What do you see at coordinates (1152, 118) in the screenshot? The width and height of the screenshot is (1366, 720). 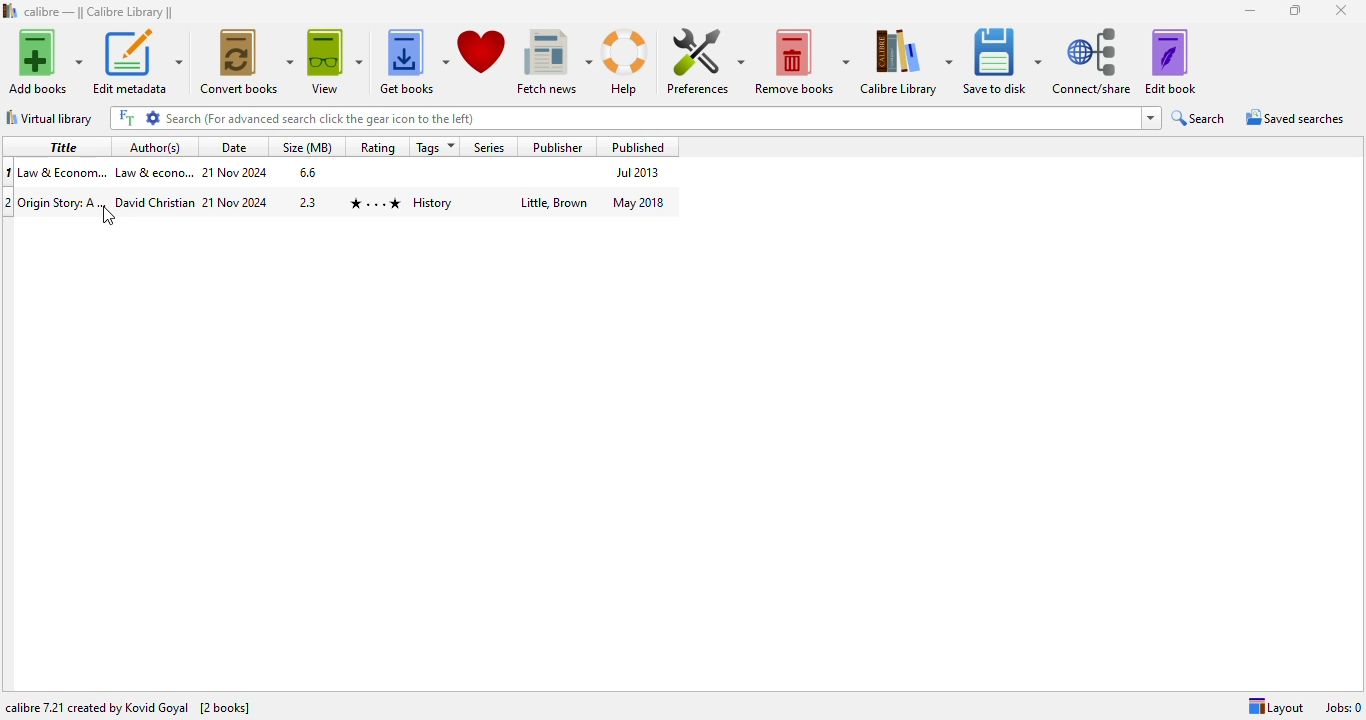 I see `dropdown` at bounding box center [1152, 118].